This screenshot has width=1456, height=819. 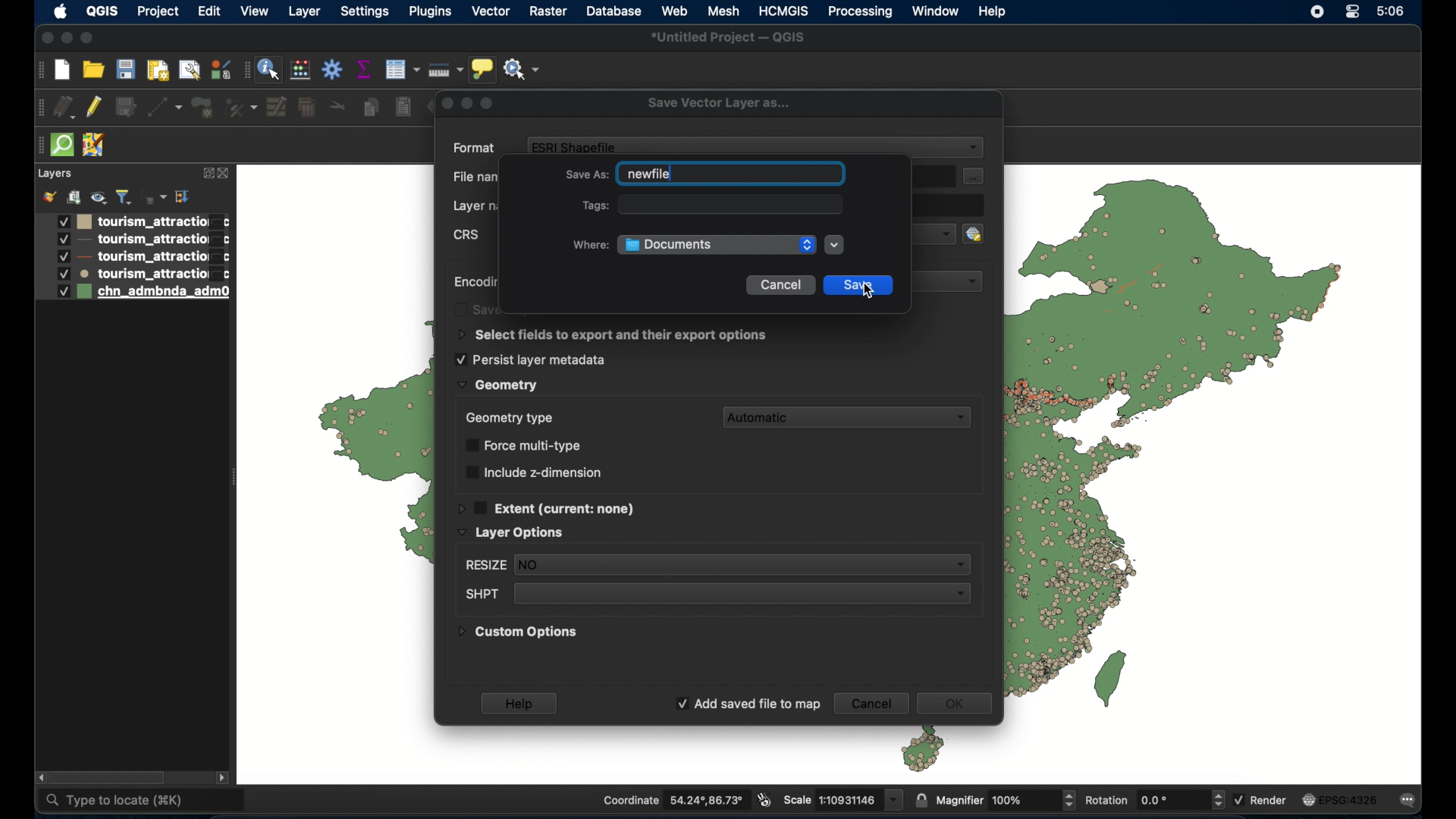 I want to click on messages, so click(x=1410, y=799).